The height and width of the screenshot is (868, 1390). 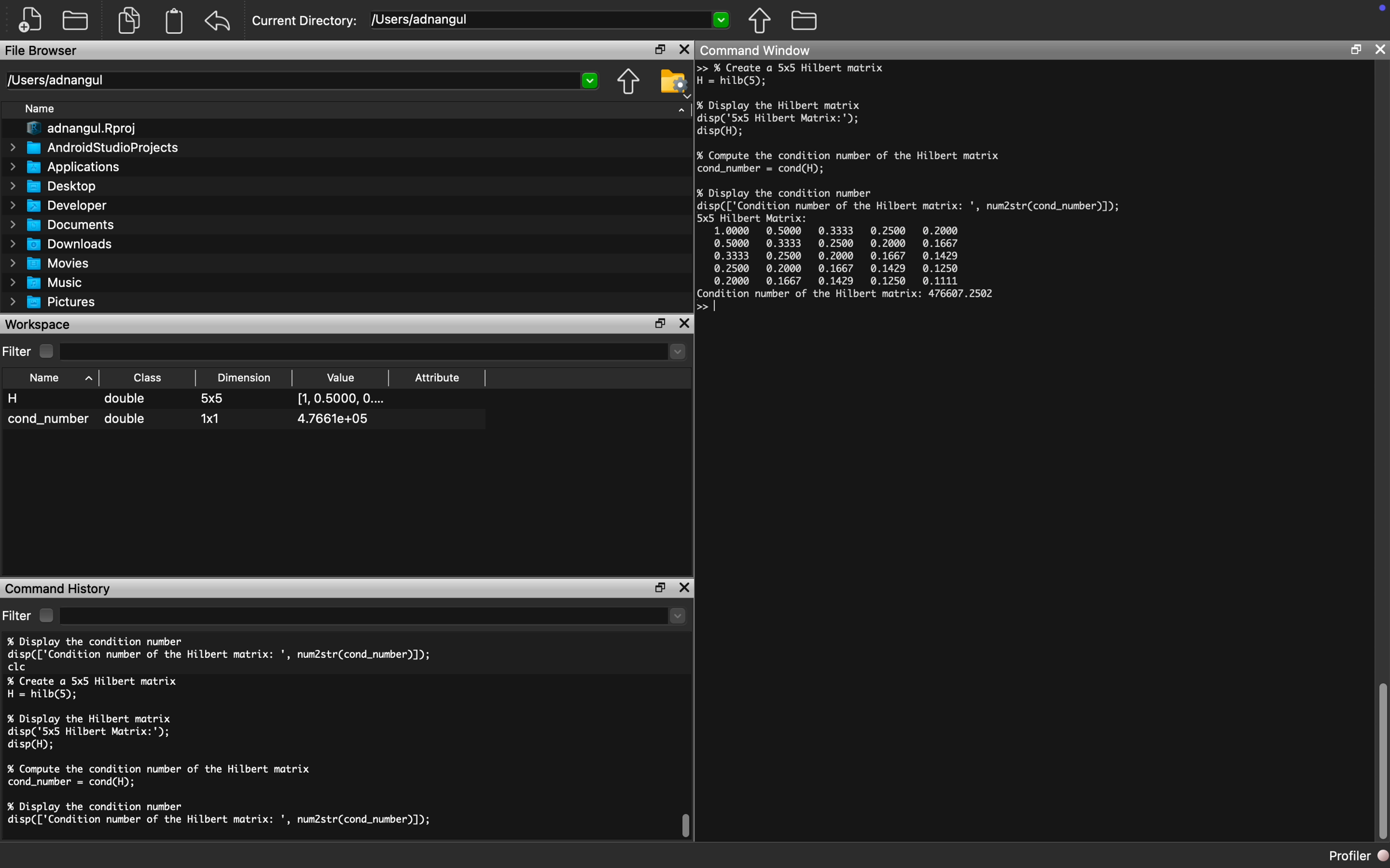 I want to click on adnangul.Rproj, so click(x=79, y=130).